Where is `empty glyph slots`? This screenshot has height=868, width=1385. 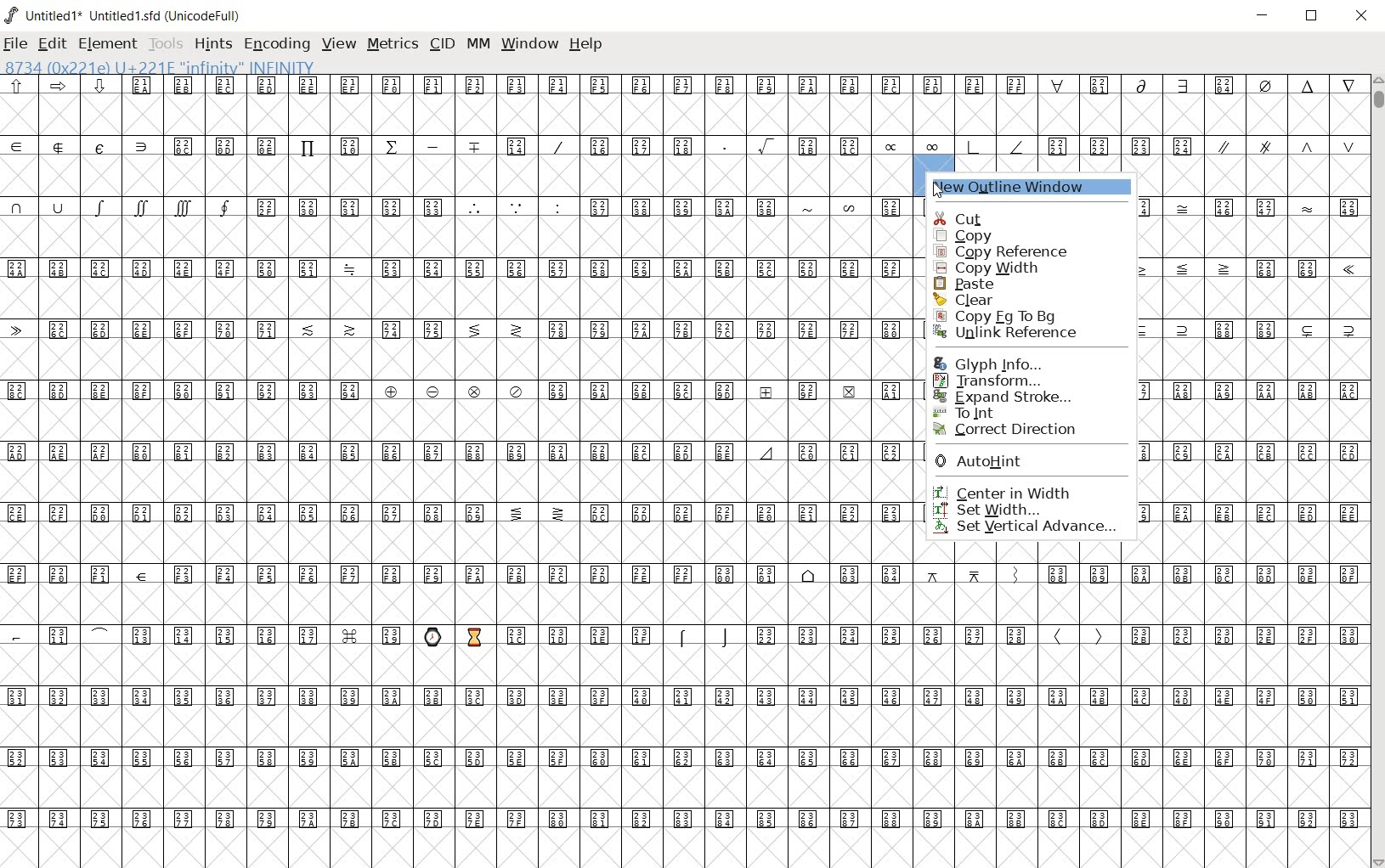 empty glyph slots is located at coordinates (683, 786).